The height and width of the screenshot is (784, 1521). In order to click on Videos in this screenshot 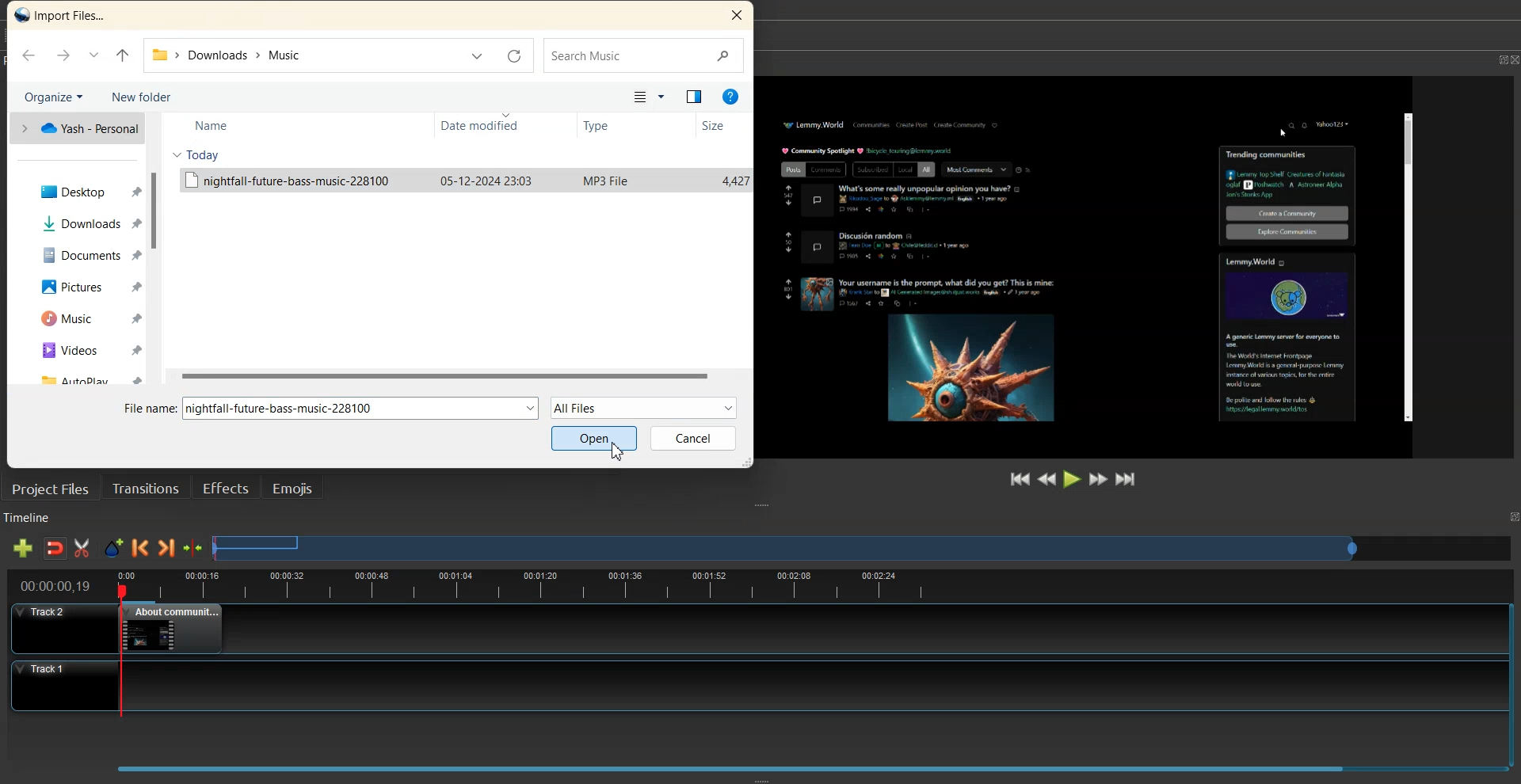, I will do `click(75, 350)`.